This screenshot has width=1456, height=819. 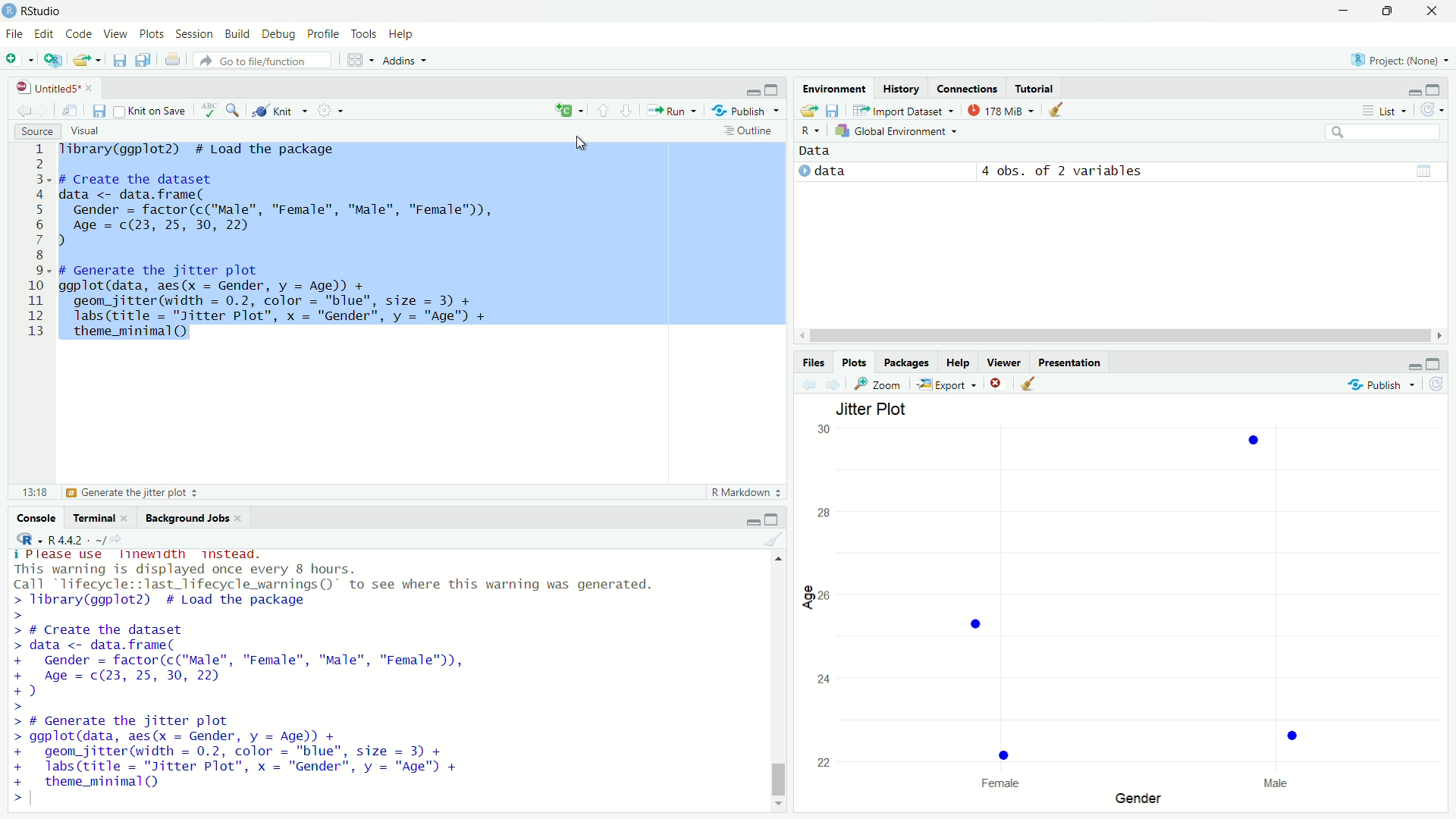 I want to click on presentation, so click(x=1069, y=362).